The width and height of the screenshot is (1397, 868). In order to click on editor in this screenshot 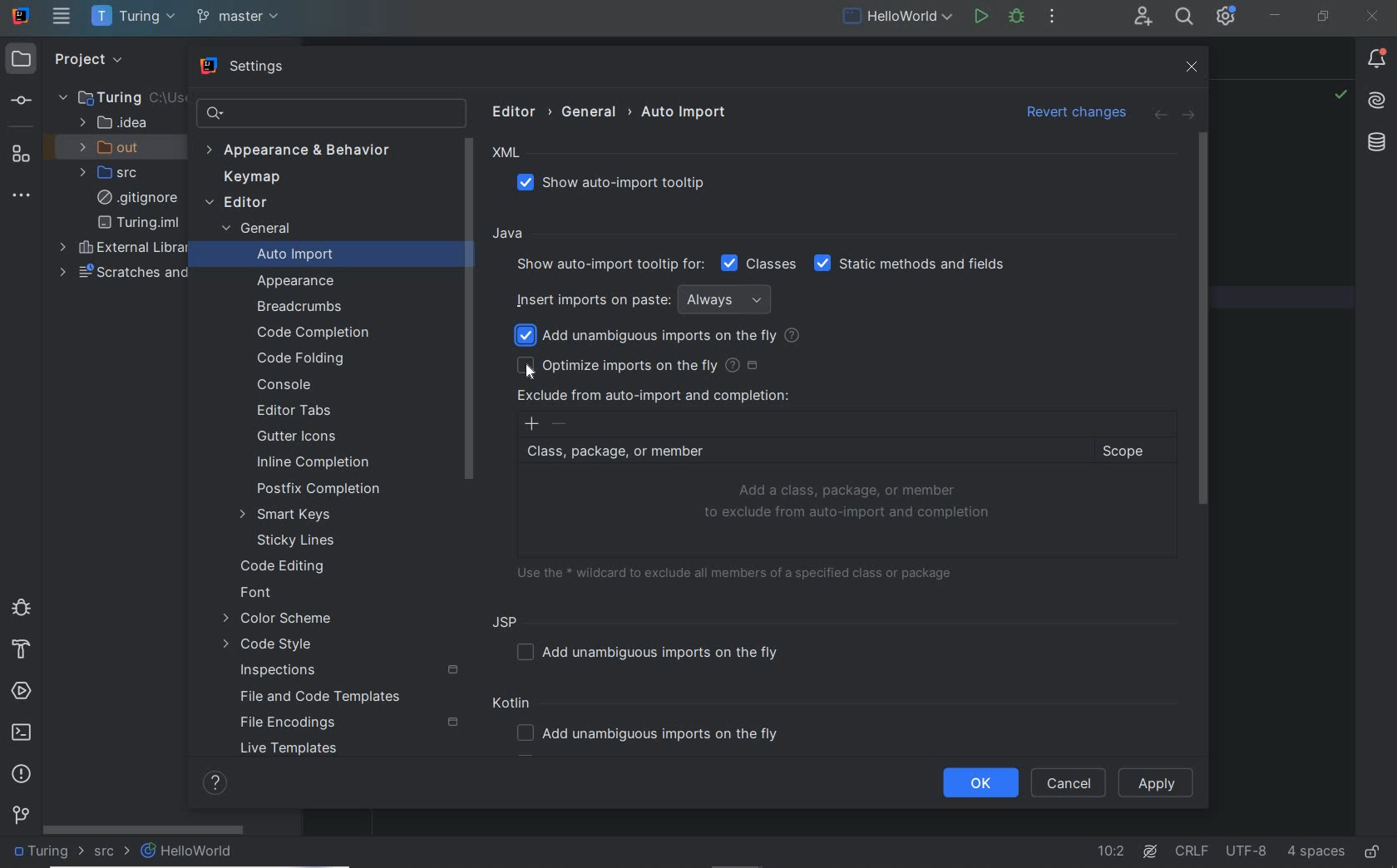, I will do `click(518, 111)`.